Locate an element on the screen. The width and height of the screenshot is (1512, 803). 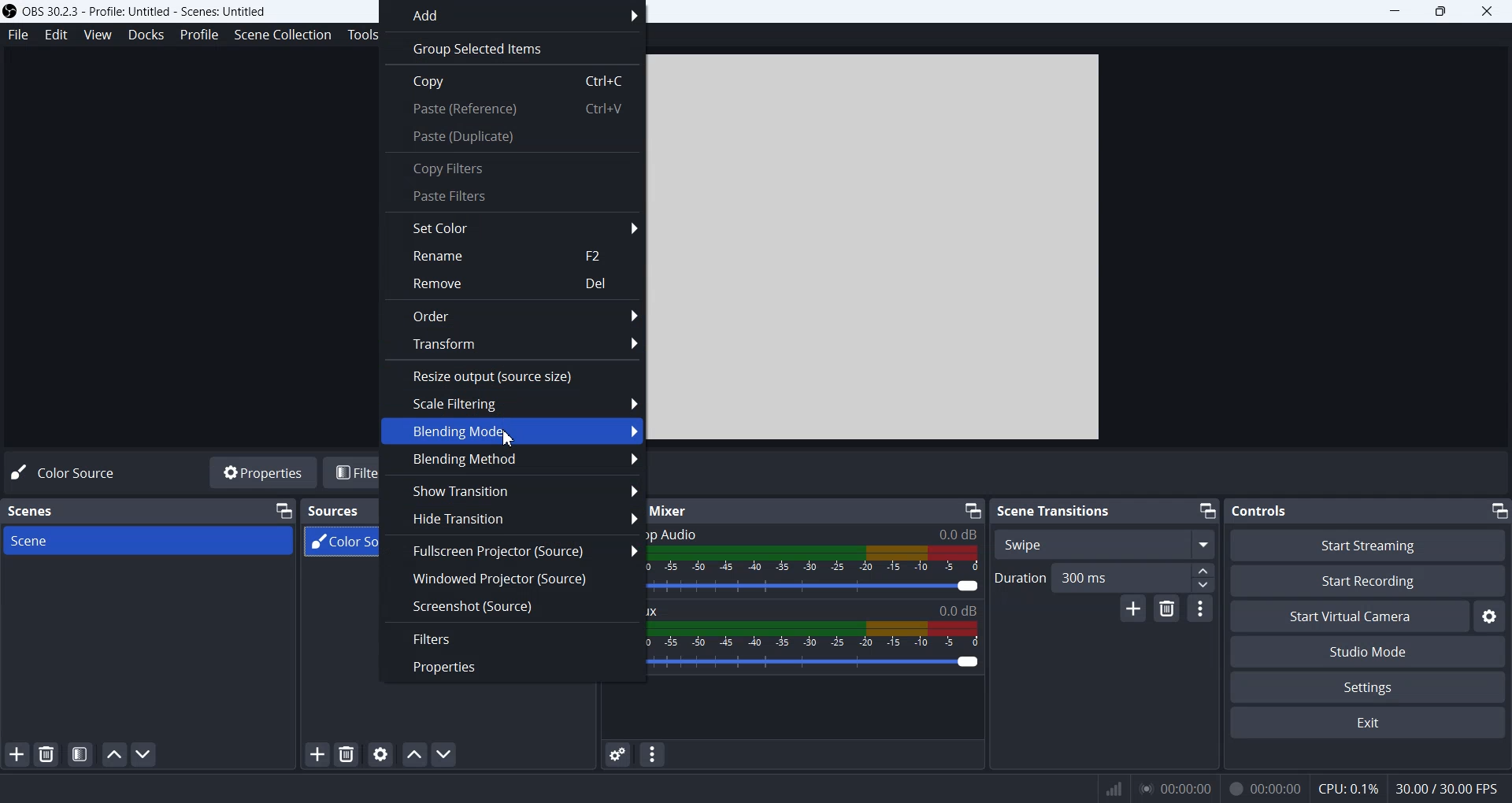
300 ms is located at coordinates (1134, 577).